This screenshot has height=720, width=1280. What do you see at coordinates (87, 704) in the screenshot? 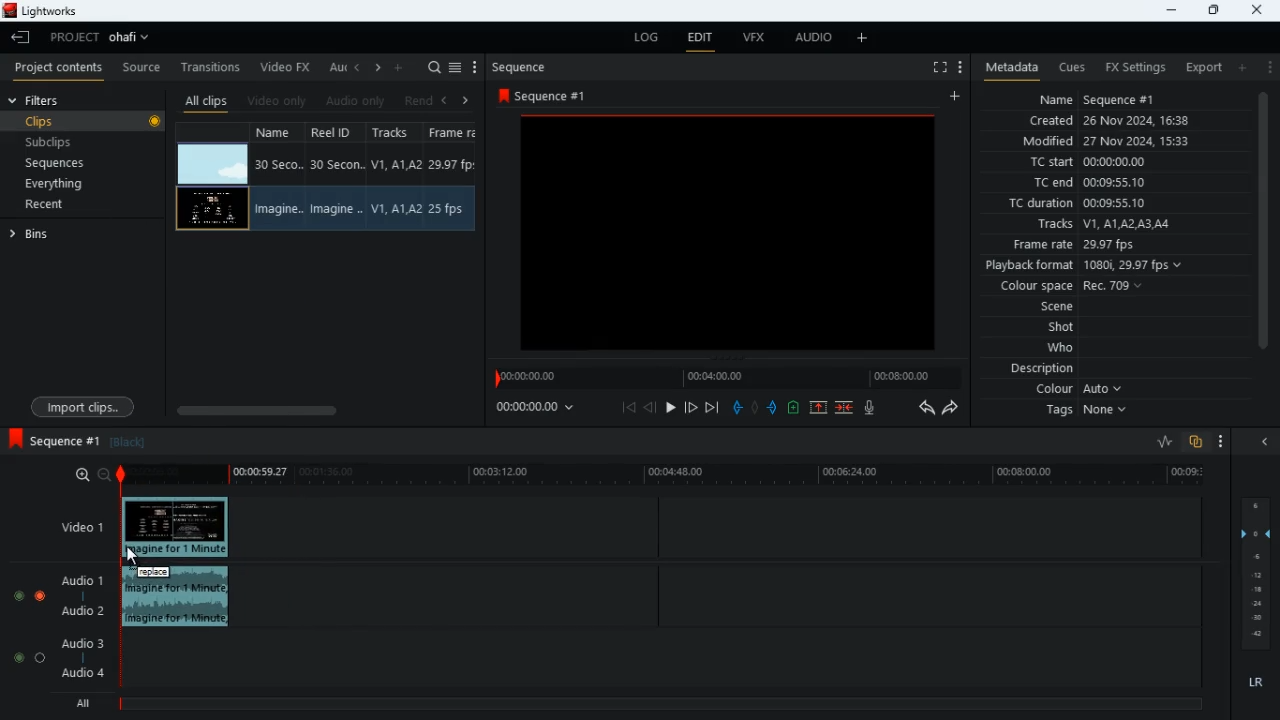
I see `all` at bounding box center [87, 704].